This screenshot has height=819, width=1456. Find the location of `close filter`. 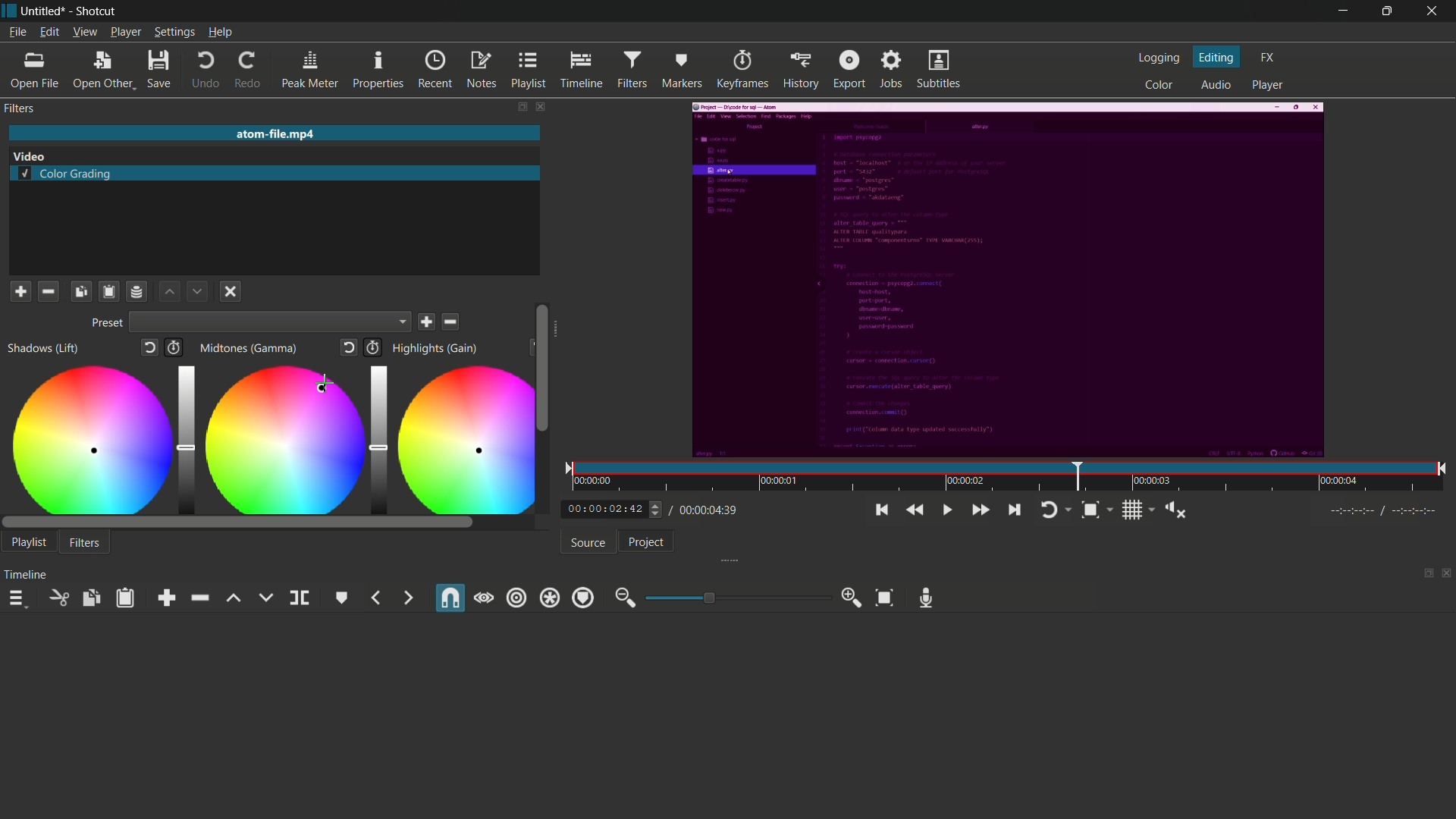

close filter is located at coordinates (538, 106).